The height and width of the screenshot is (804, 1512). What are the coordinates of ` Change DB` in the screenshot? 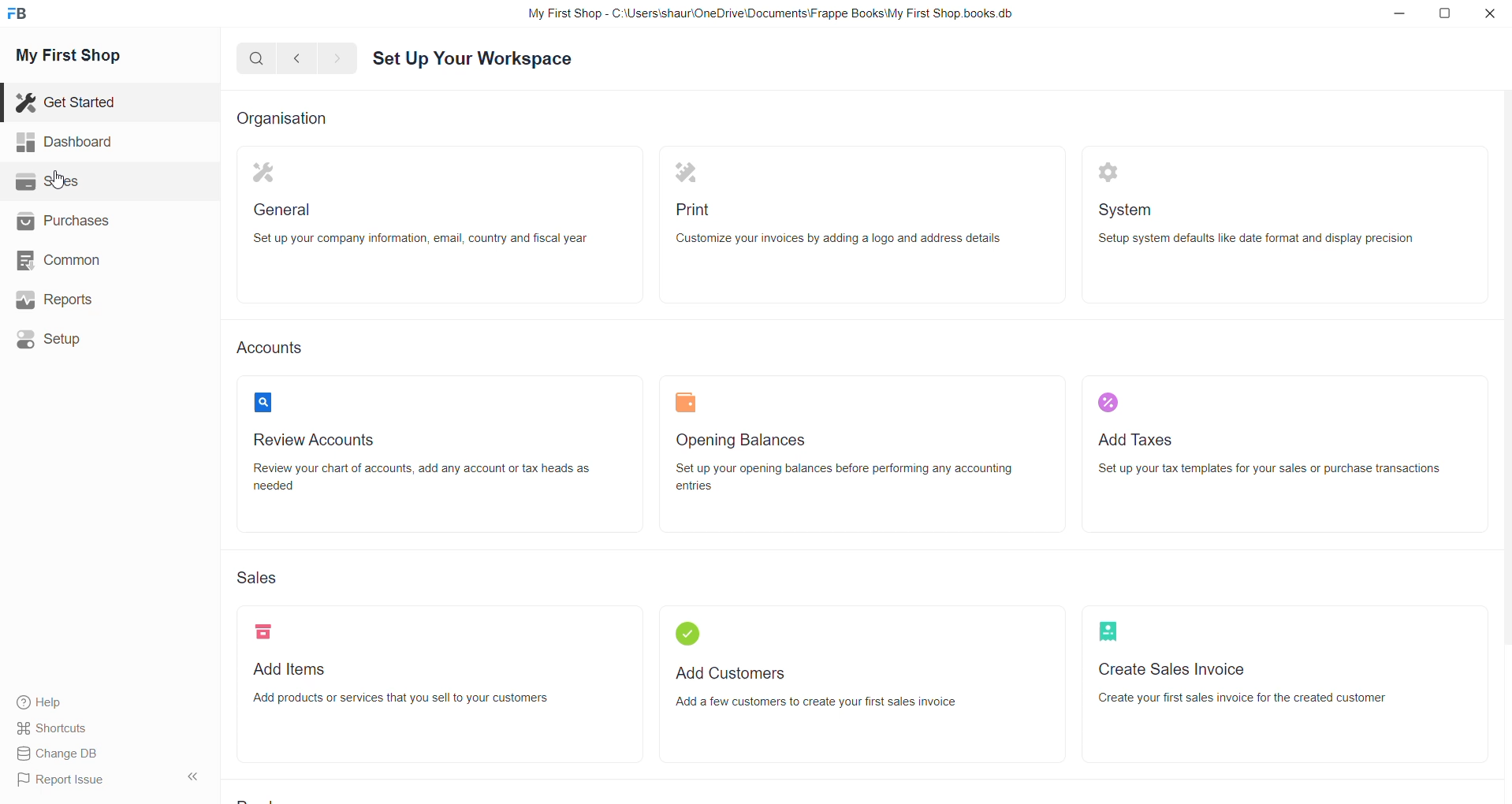 It's located at (61, 753).